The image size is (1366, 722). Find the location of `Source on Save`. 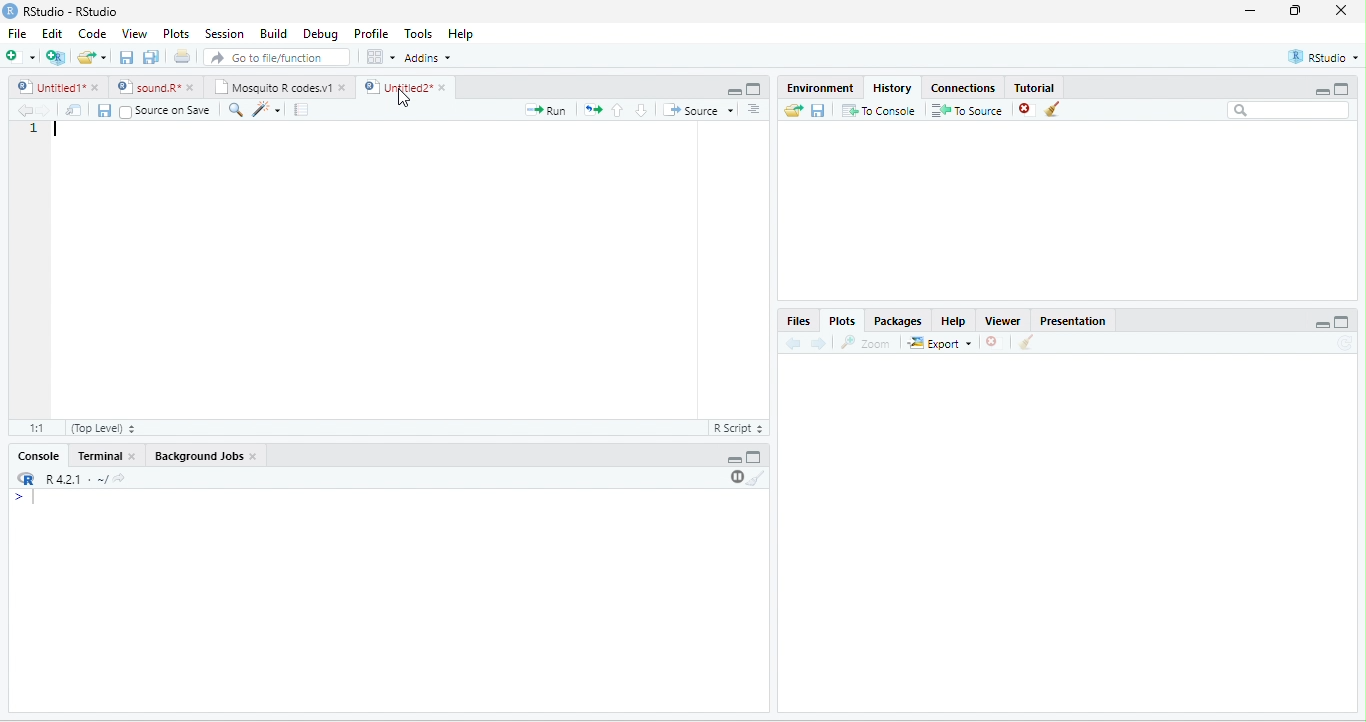

Source on Save is located at coordinates (164, 111).